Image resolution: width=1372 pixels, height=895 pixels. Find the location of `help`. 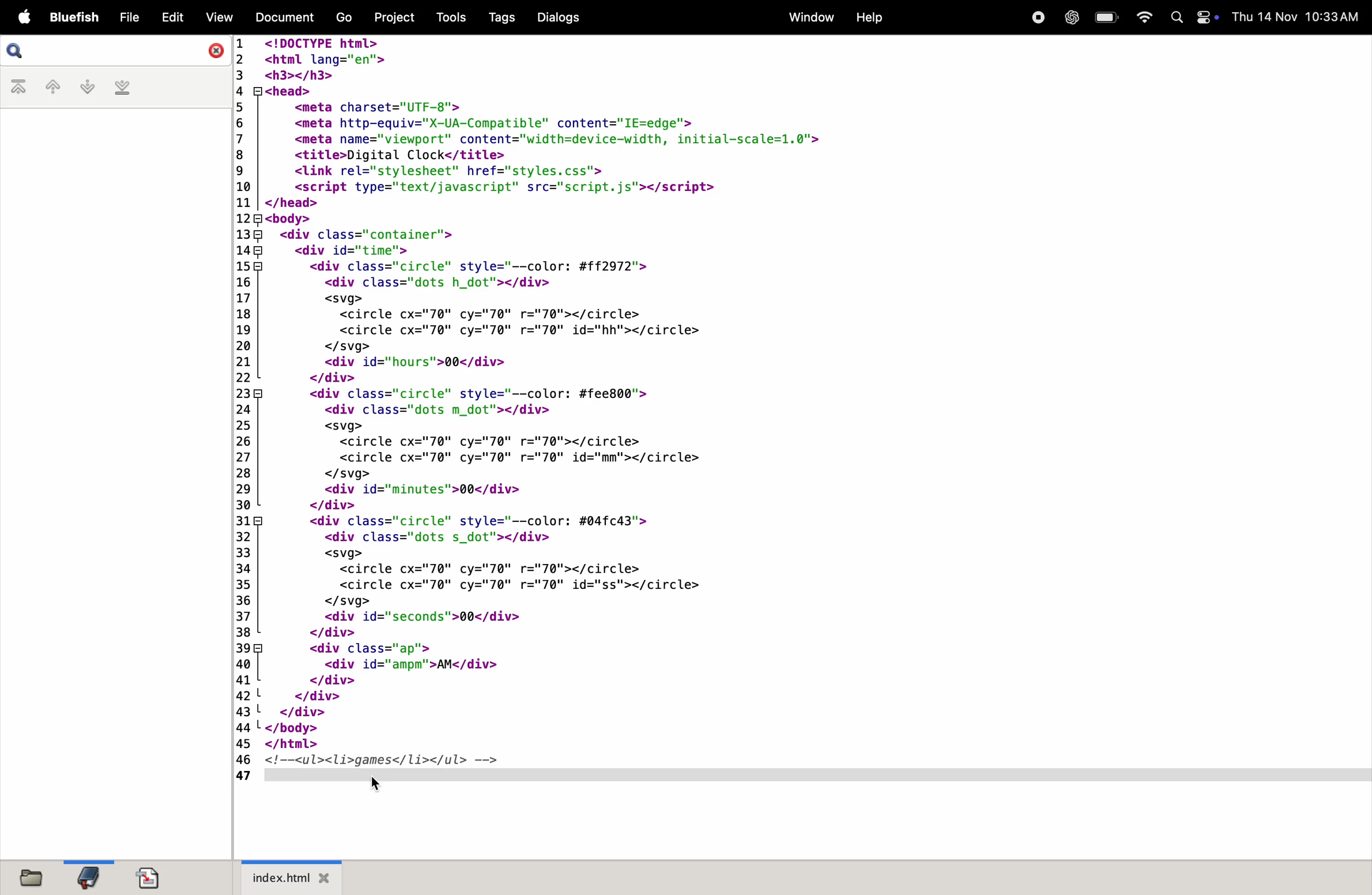

help is located at coordinates (872, 16).